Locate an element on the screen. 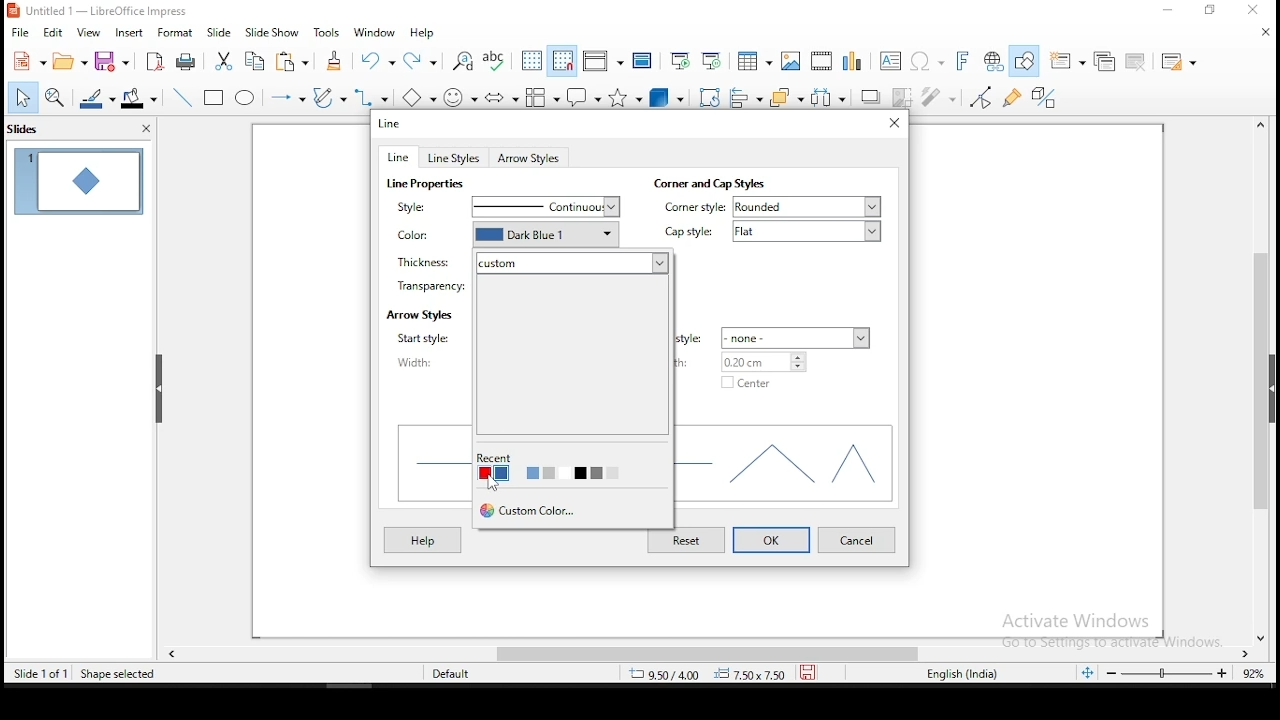 The width and height of the screenshot is (1280, 720). zoom level is located at coordinates (1166, 672).